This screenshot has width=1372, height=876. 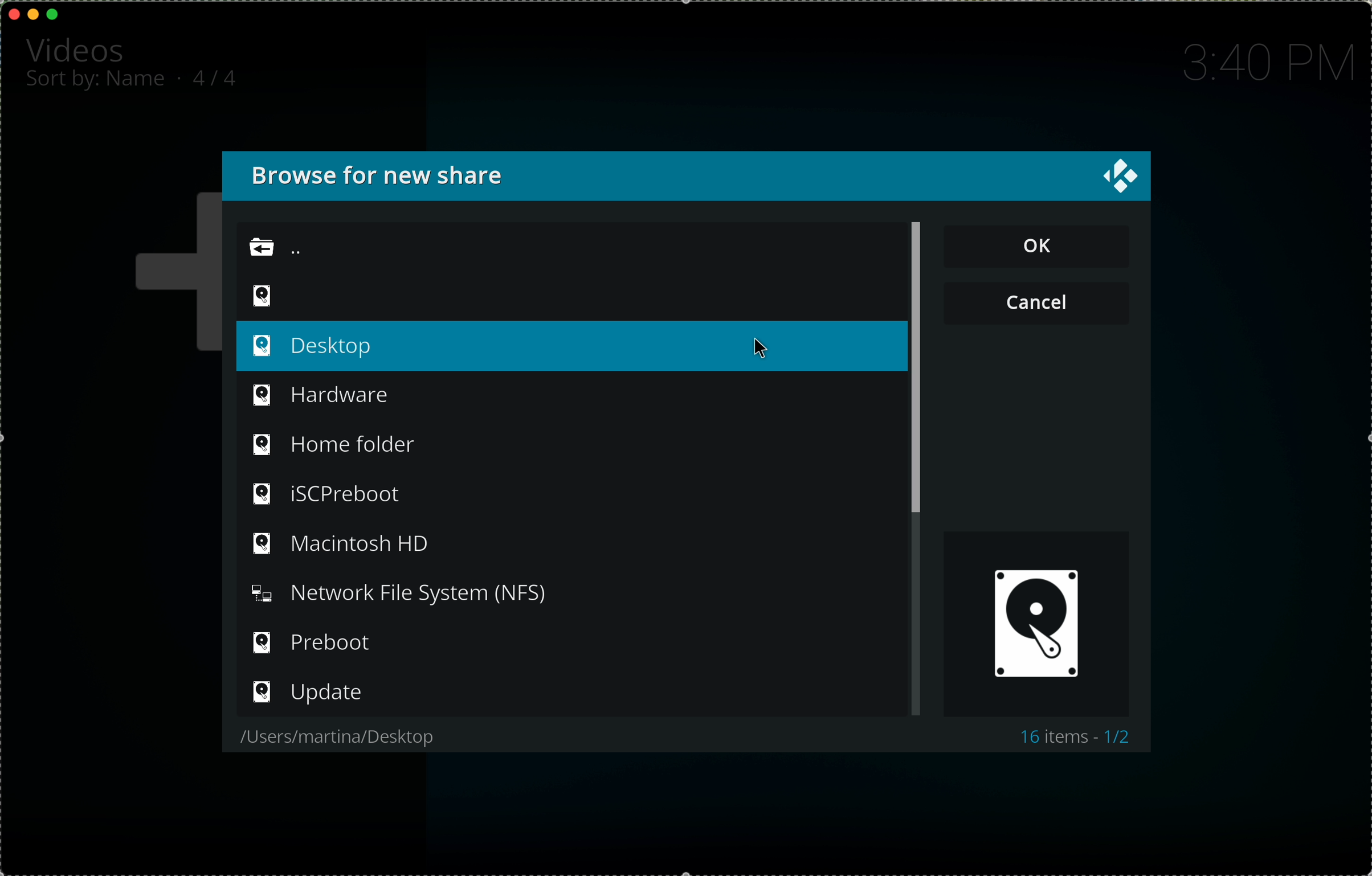 I want to click on video icon, so click(x=262, y=294).